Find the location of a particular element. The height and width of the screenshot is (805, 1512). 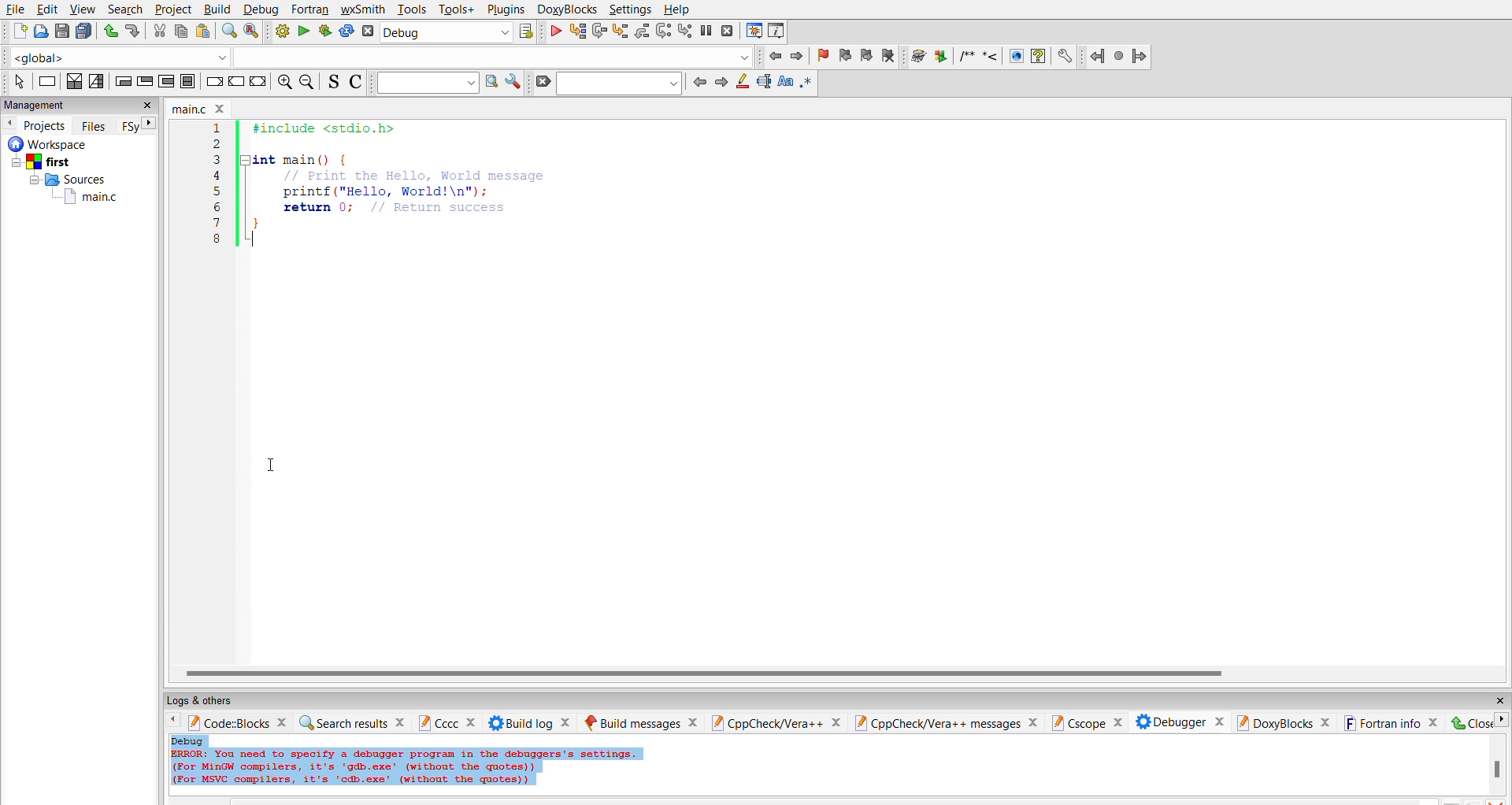

cppcheck/vera++messages is located at coordinates (947, 721).